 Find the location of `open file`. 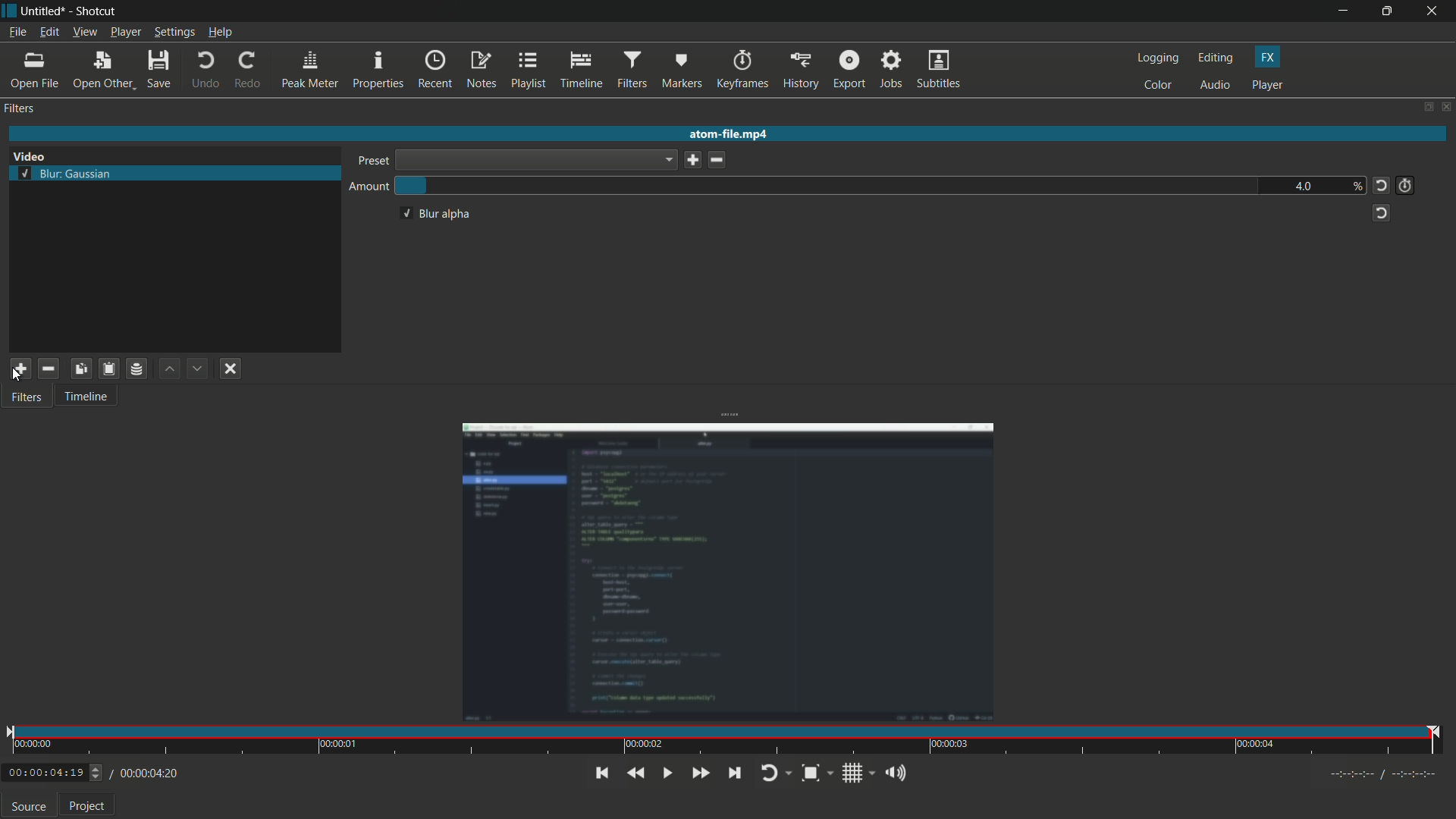

open file is located at coordinates (35, 71).